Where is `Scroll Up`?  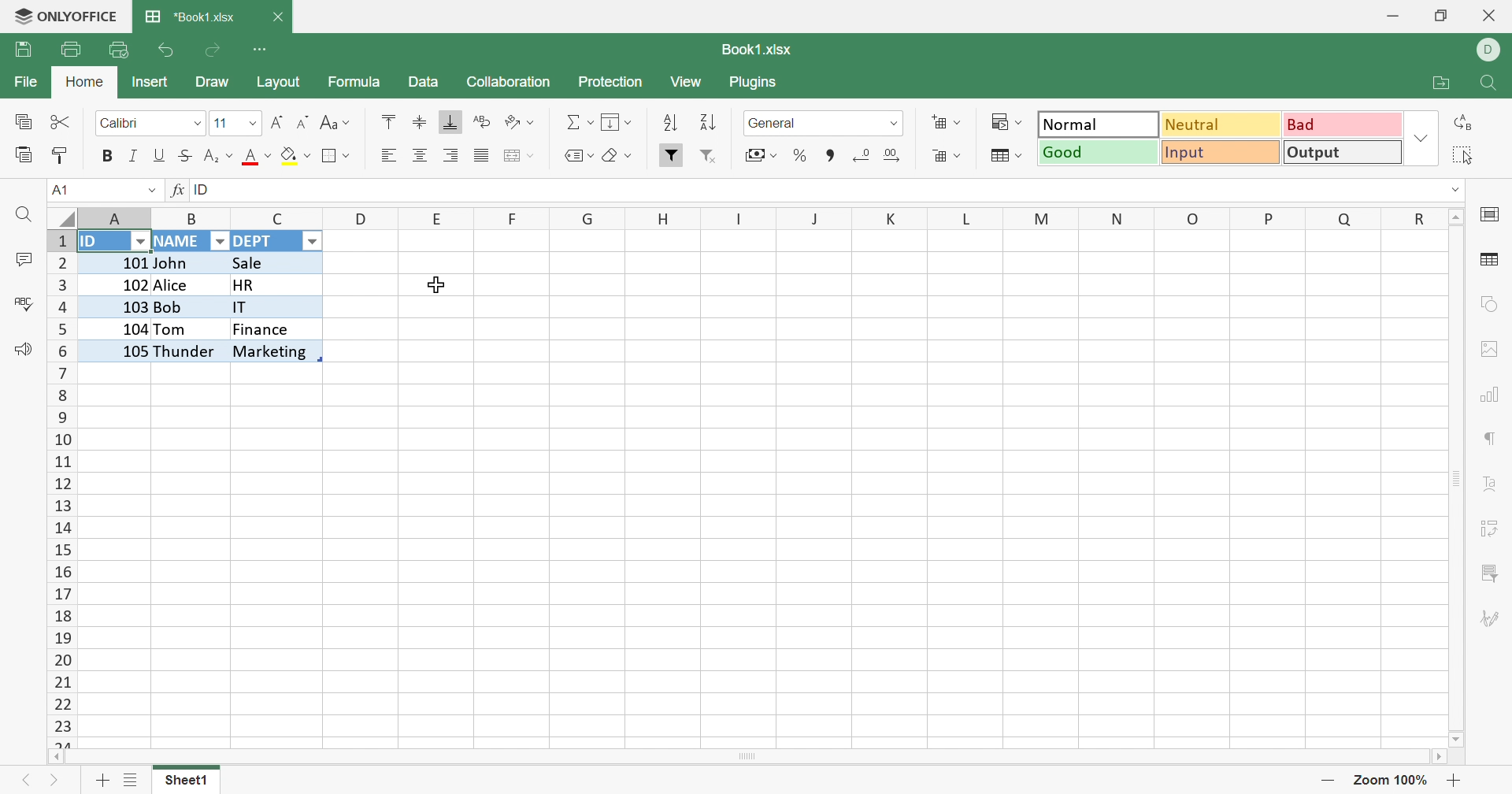
Scroll Up is located at coordinates (1458, 217).